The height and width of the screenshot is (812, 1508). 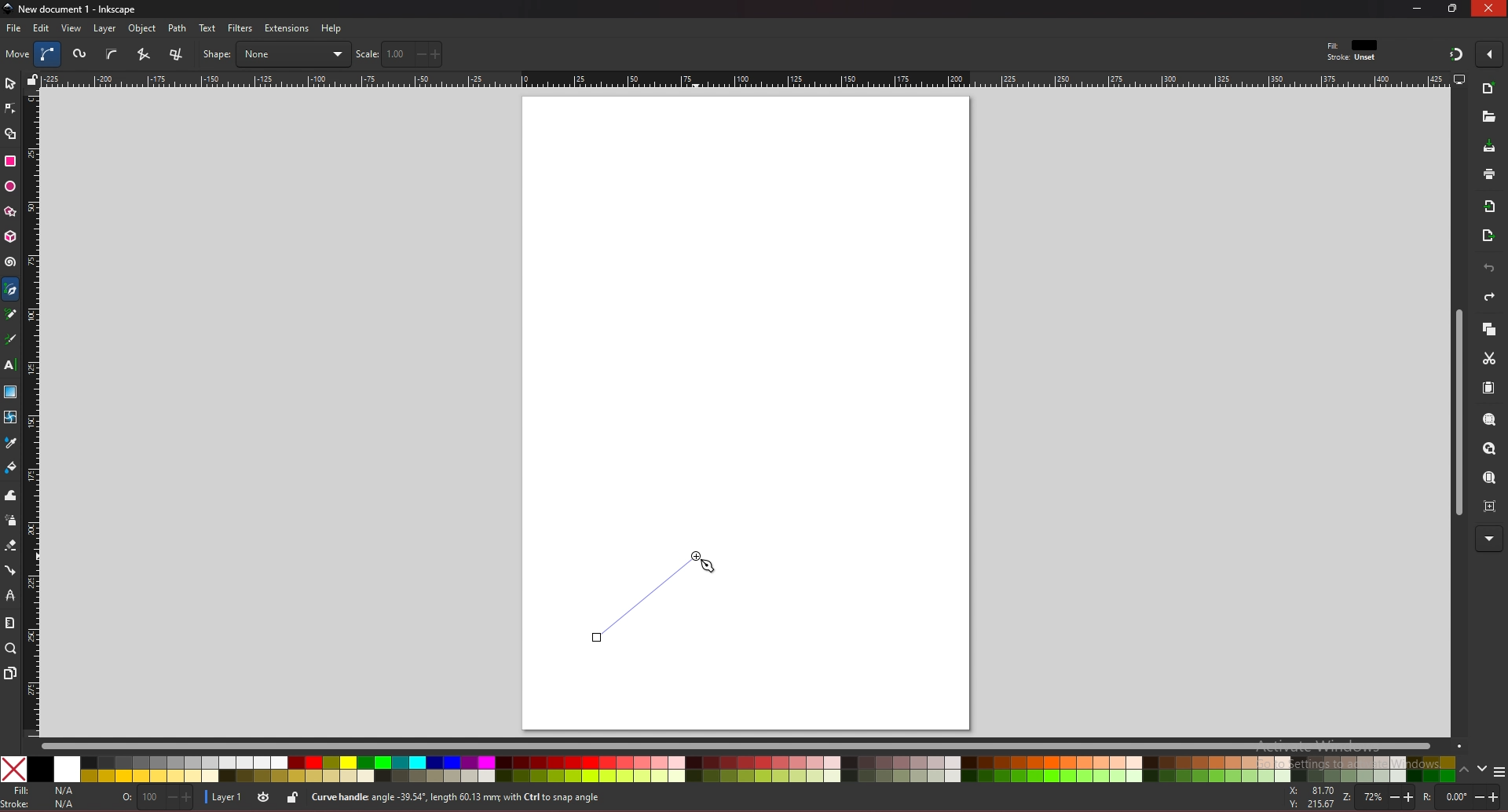 What do you see at coordinates (11, 648) in the screenshot?
I see `zoom` at bounding box center [11, 648].